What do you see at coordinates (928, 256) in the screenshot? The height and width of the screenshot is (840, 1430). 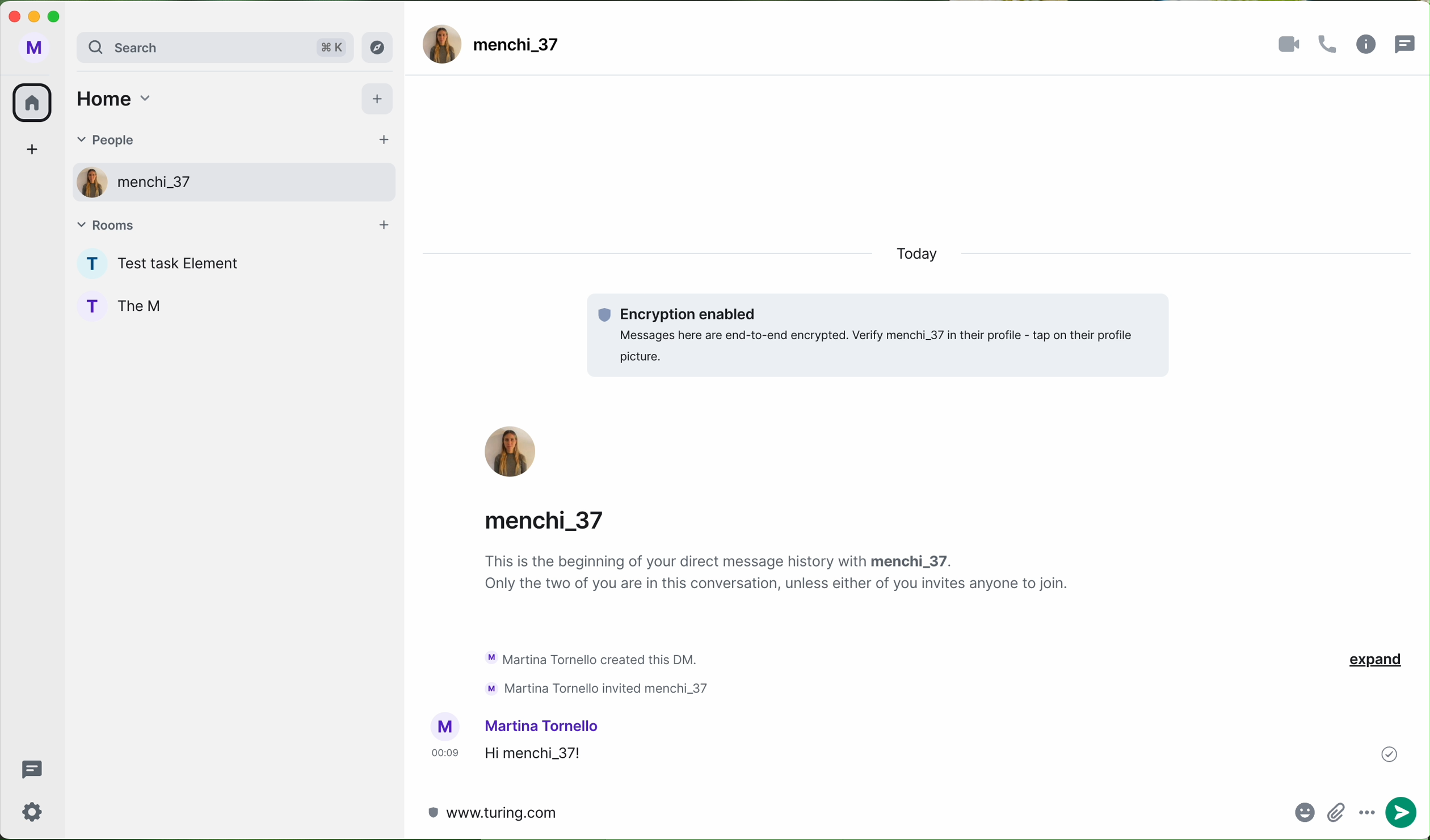 I see `today` at bounding box center [928, 256].